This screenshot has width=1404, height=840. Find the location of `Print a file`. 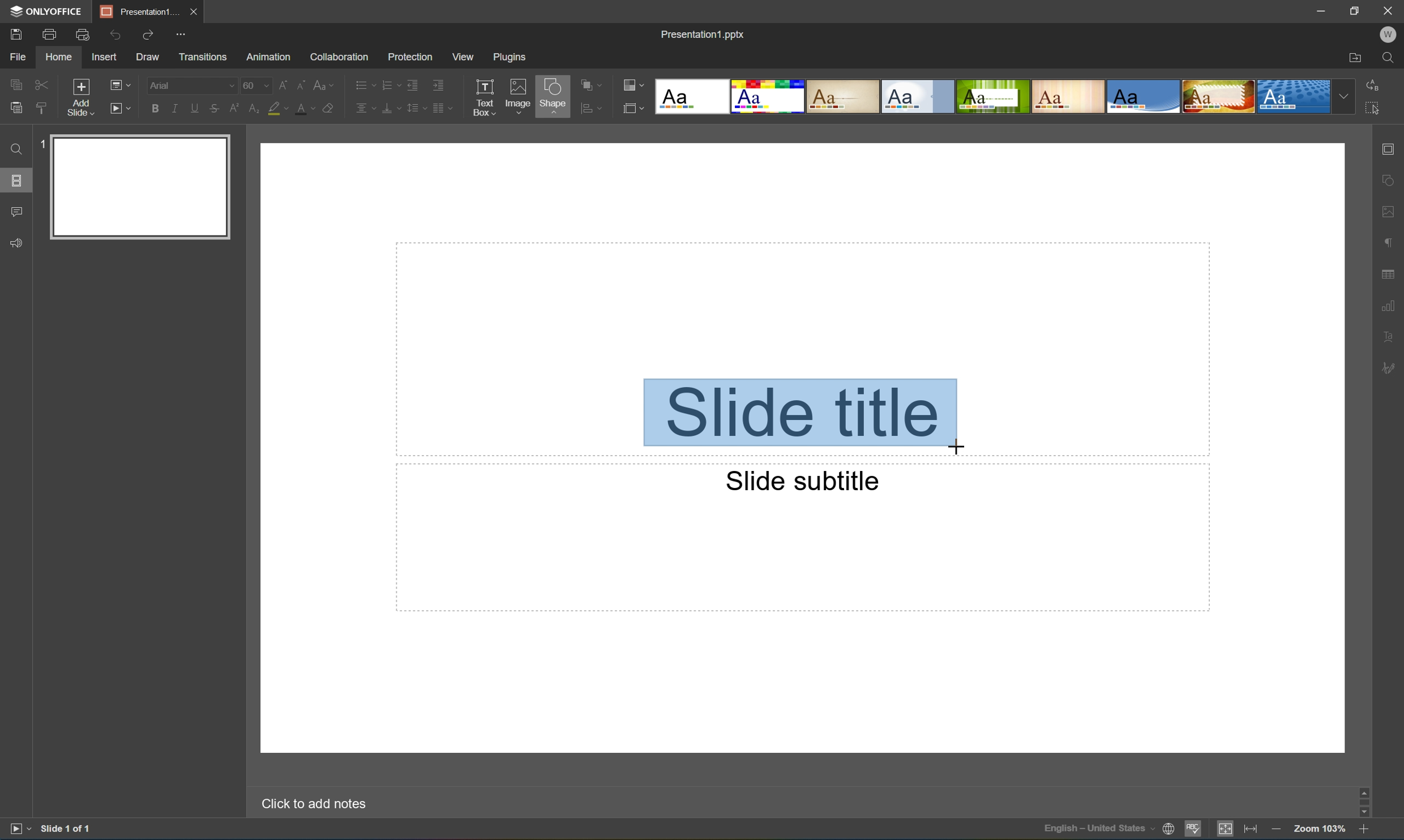

Print a file is located at coordinates (50, 34).